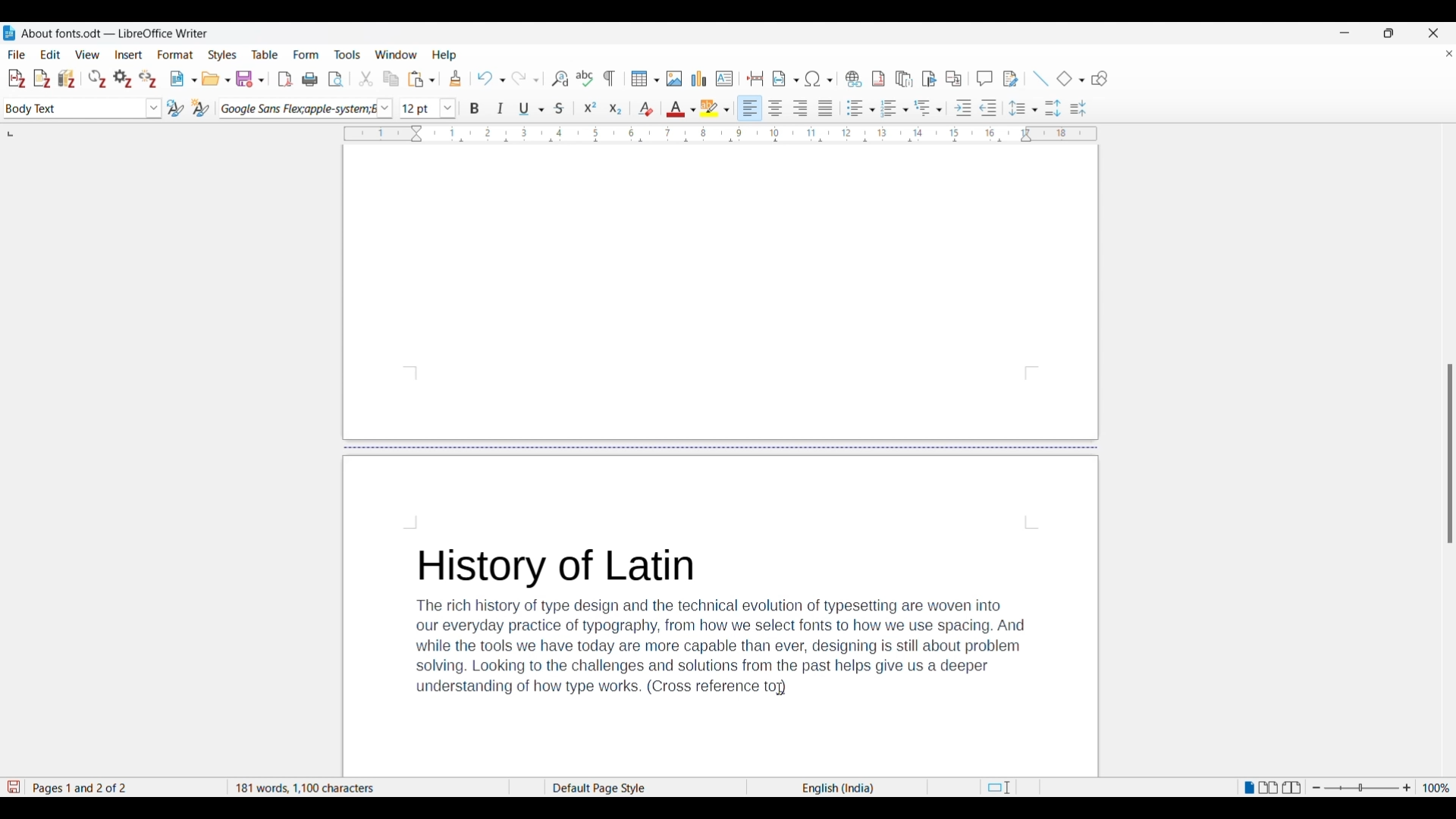 The width and height of the screenshot is (1456, 819). I want to click on Align center, so click(775, 107).